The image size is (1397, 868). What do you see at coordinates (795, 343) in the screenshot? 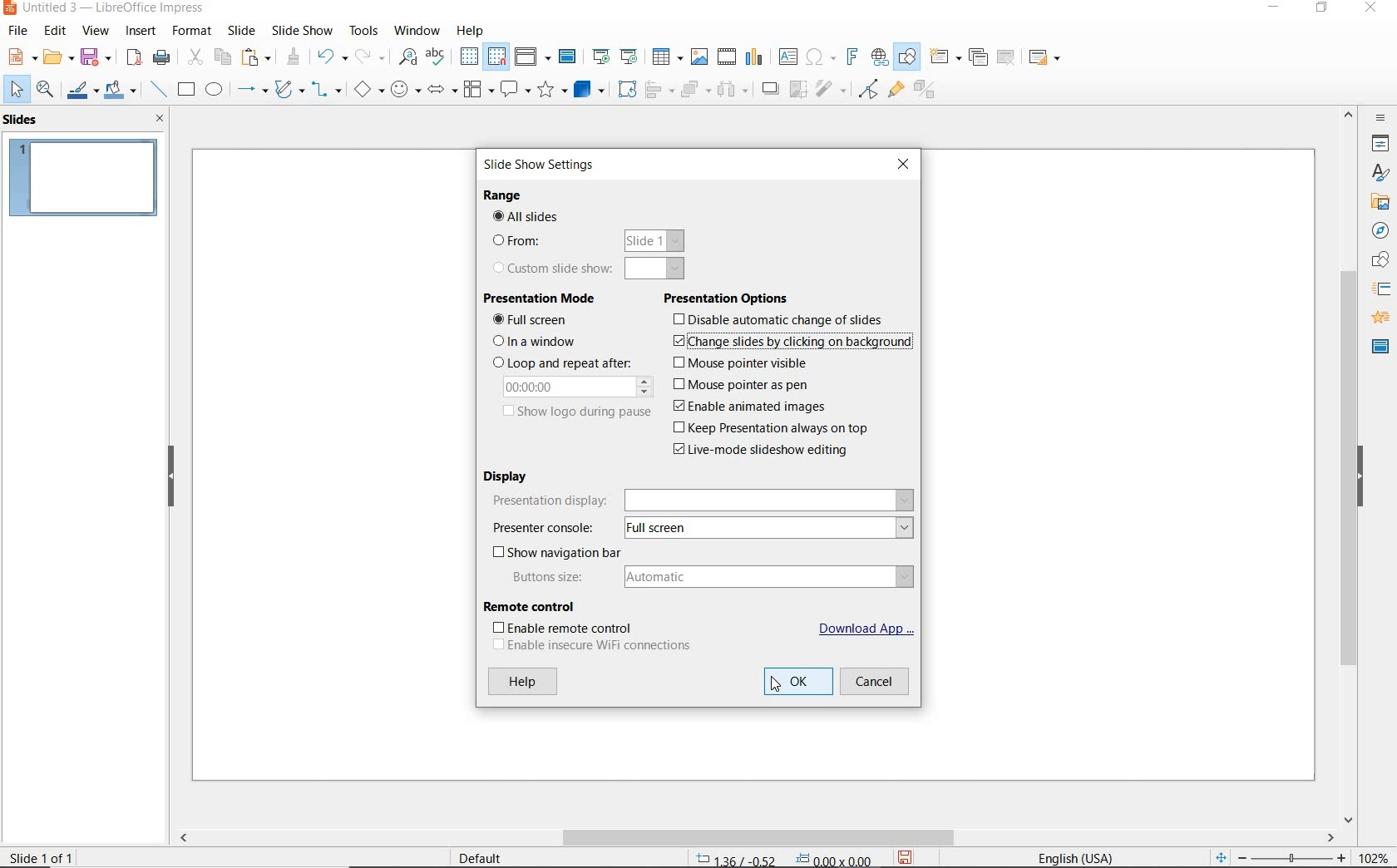
I see `change slides by clicking on background` at bounding box center [795, 343].